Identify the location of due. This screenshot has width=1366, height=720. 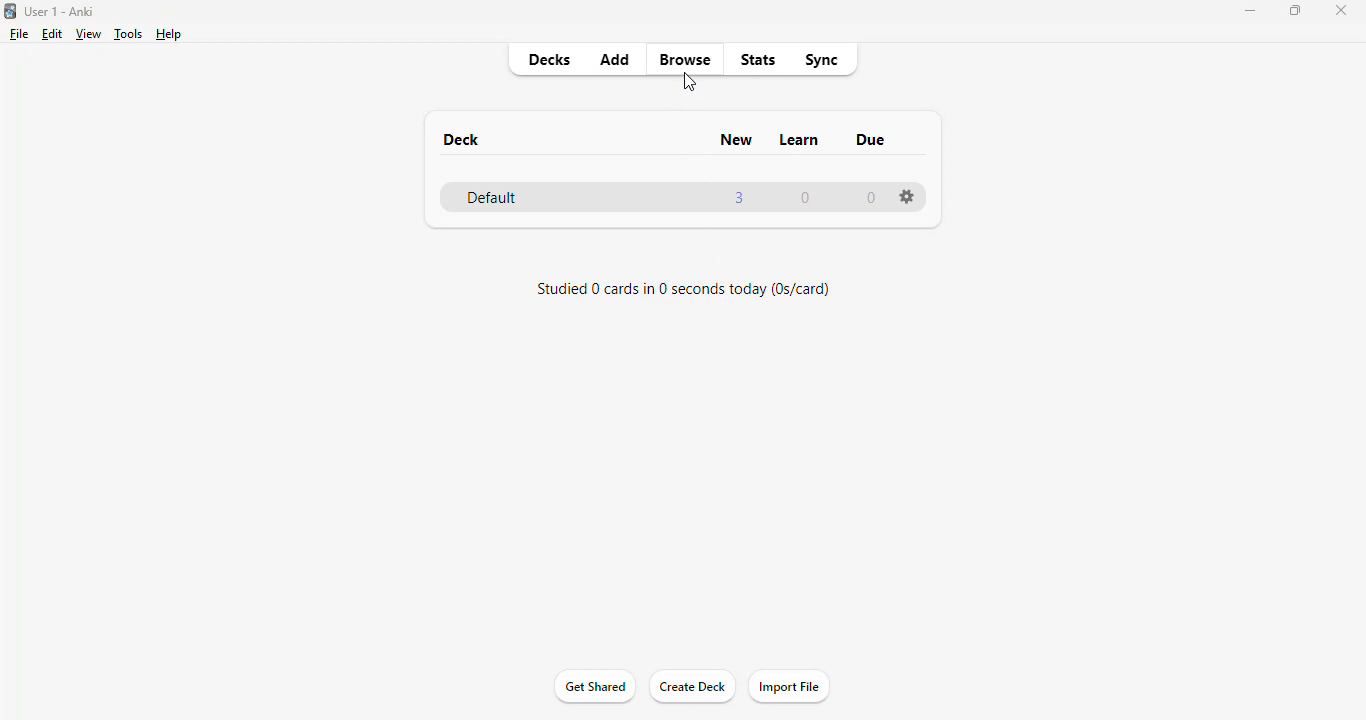
(870, 139).